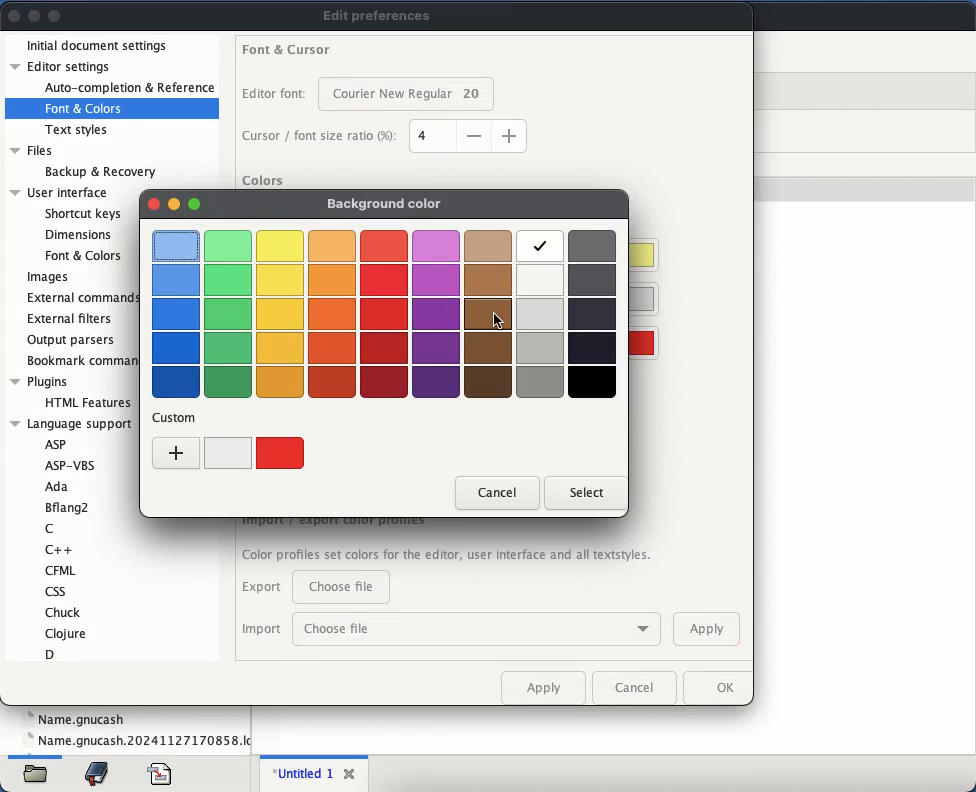 This screenshot has width=976, height=792. Describe the element at coordinates (261, 630) in the screenshot. I see `import` at that location.